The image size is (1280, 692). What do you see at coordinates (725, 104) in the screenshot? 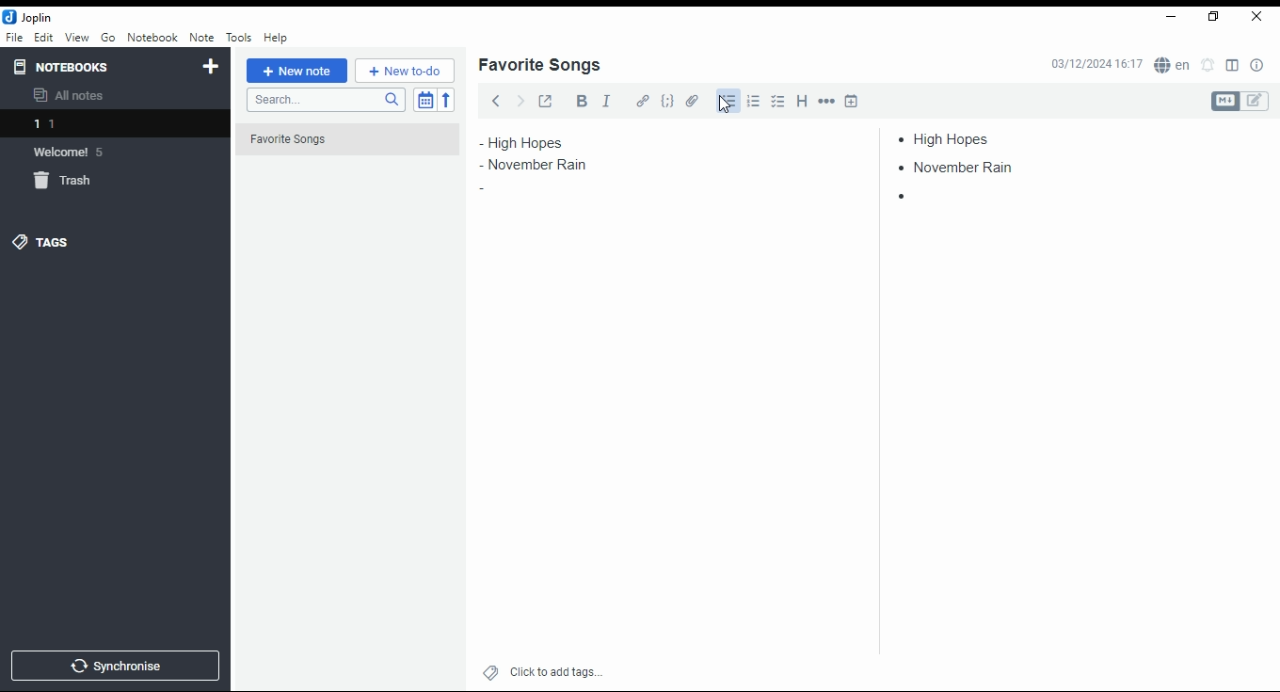
I see `mouse pointer` at bounding box center [725, 104].